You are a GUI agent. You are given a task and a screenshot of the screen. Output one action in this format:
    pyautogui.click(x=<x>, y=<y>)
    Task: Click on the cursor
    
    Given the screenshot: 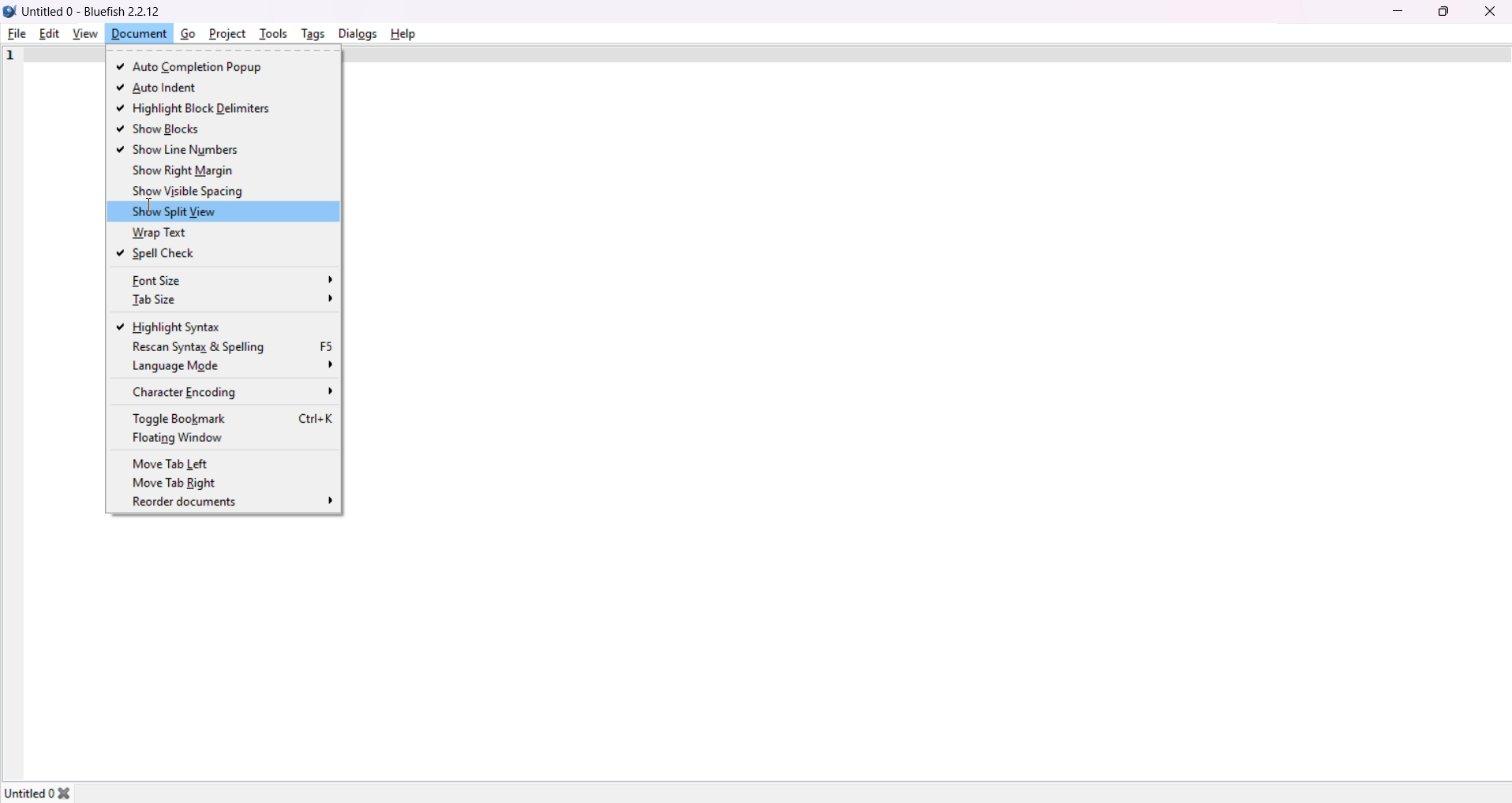 What is the action you would take?
    pyautogui.click(x=144, y=208)
    